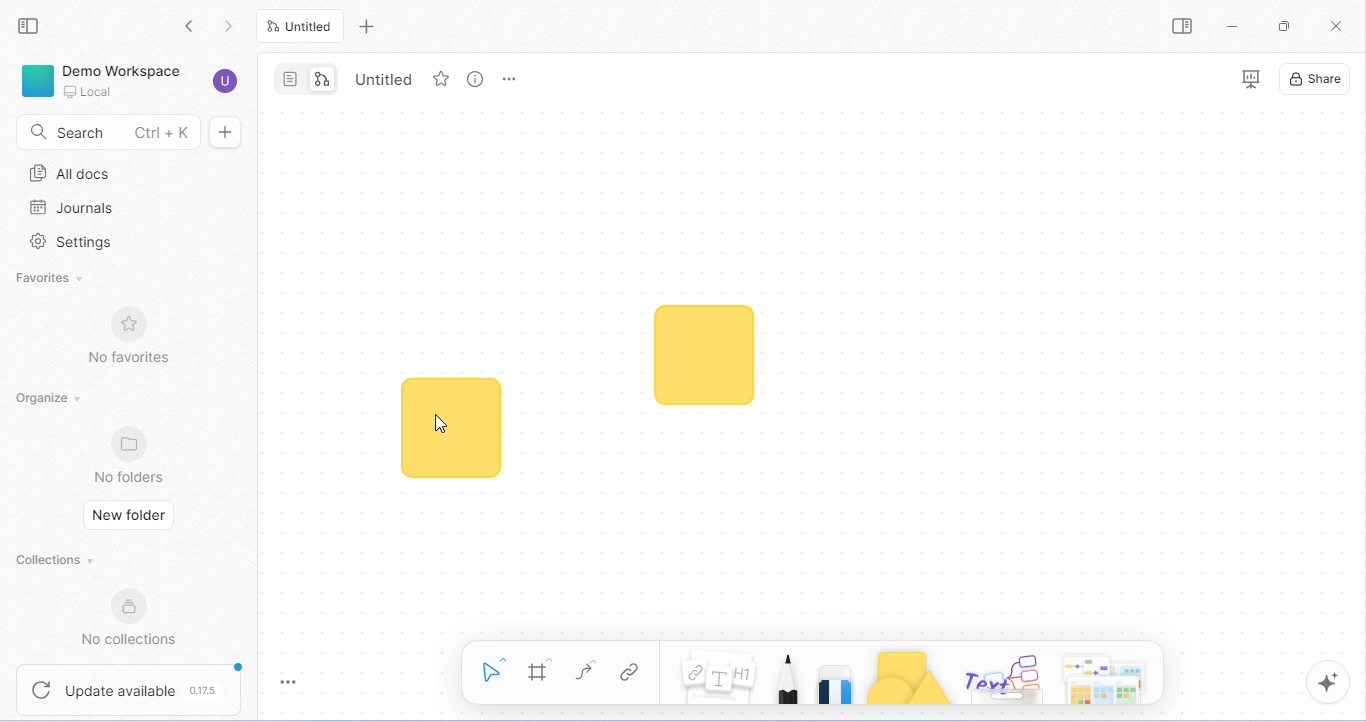 Image resolution: width=1366 pixels, height=722 pixels. What do you see at coordinates (47, 281) in the screenshot?
I see `favorites` at bounding box center [47, 281].